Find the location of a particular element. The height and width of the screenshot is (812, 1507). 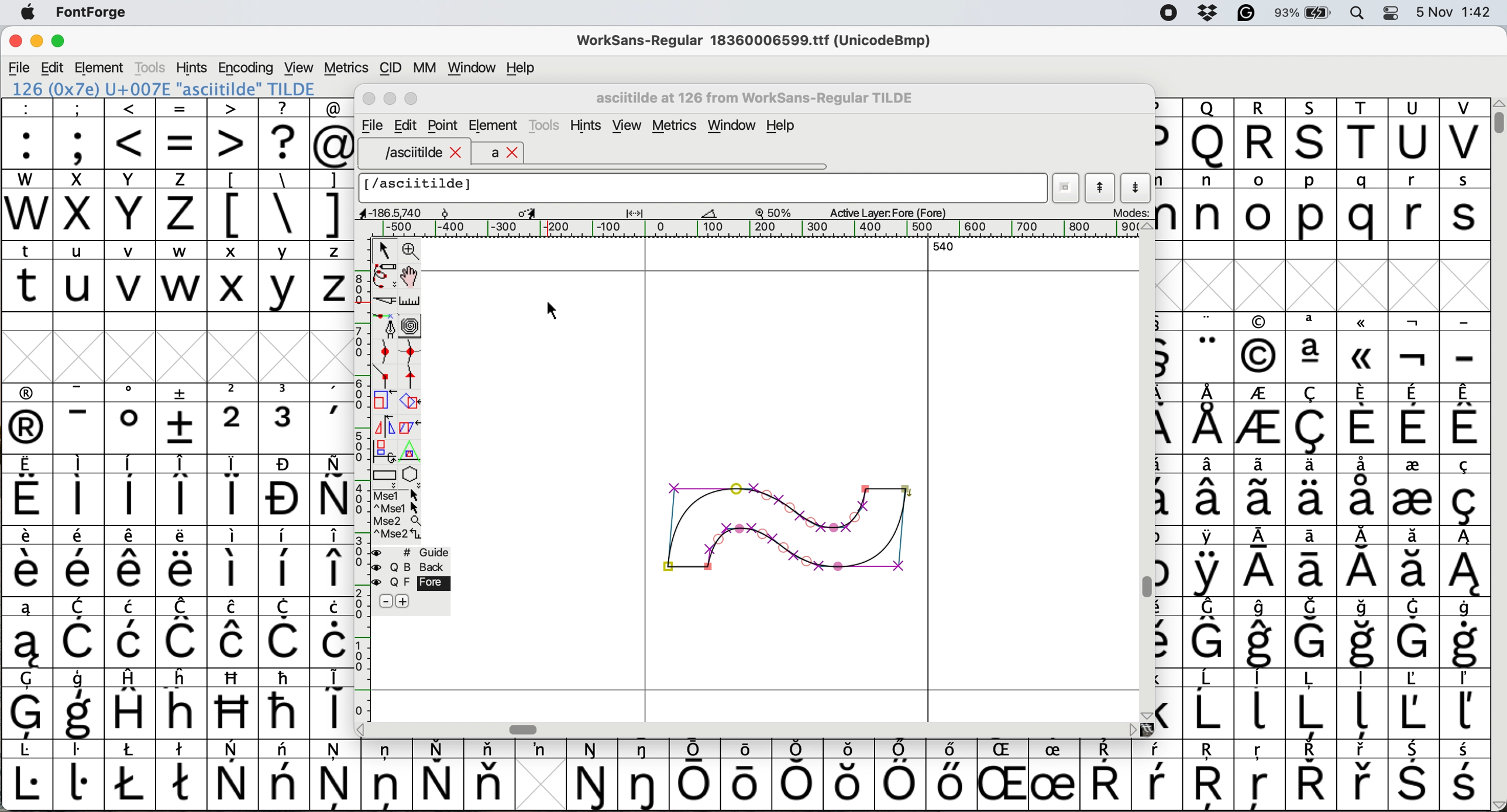

symbol is located at coordinates (133, 632).